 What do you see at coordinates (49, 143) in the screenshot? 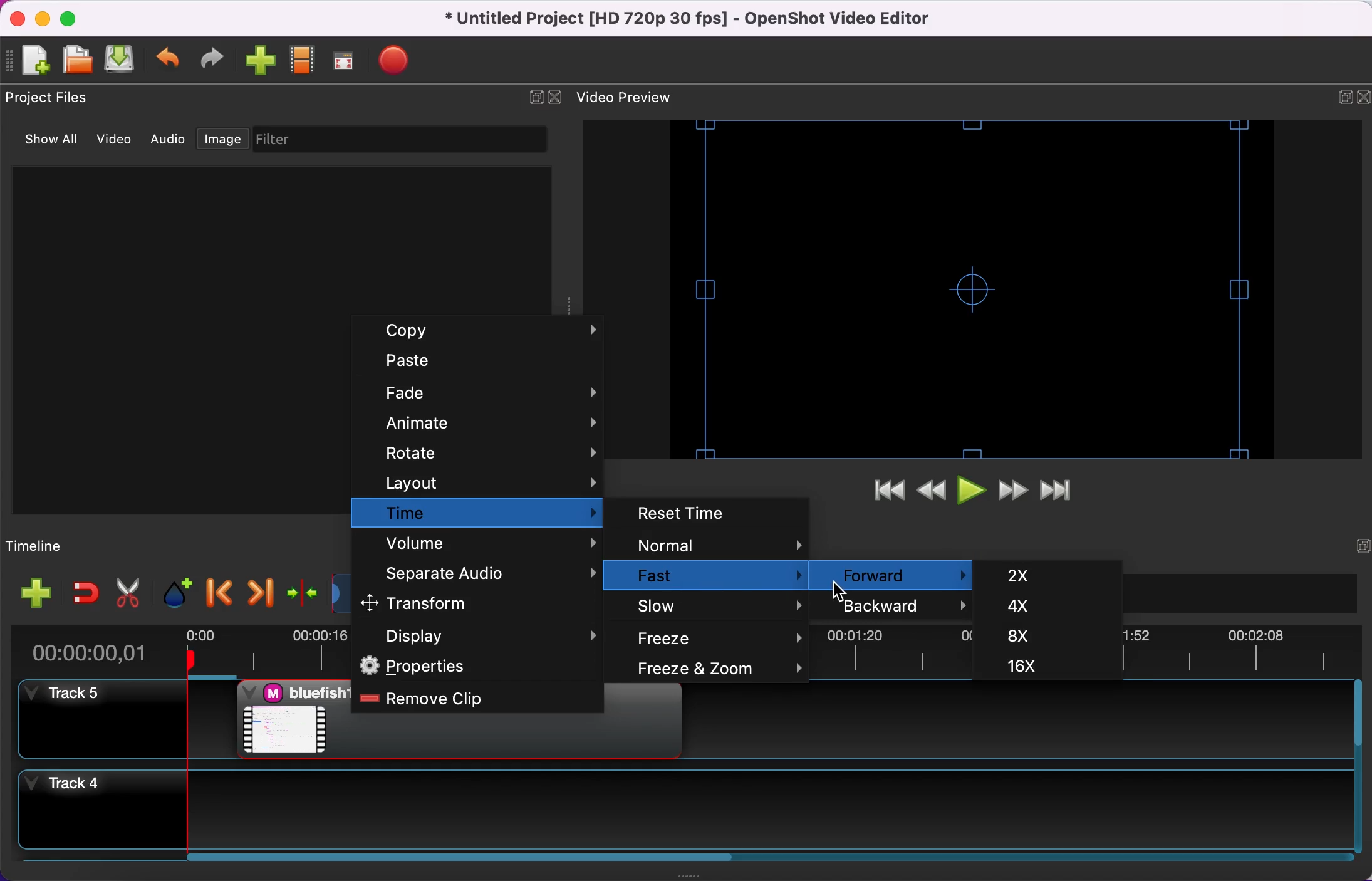
I see `show all` at bounding box center [49, 143].